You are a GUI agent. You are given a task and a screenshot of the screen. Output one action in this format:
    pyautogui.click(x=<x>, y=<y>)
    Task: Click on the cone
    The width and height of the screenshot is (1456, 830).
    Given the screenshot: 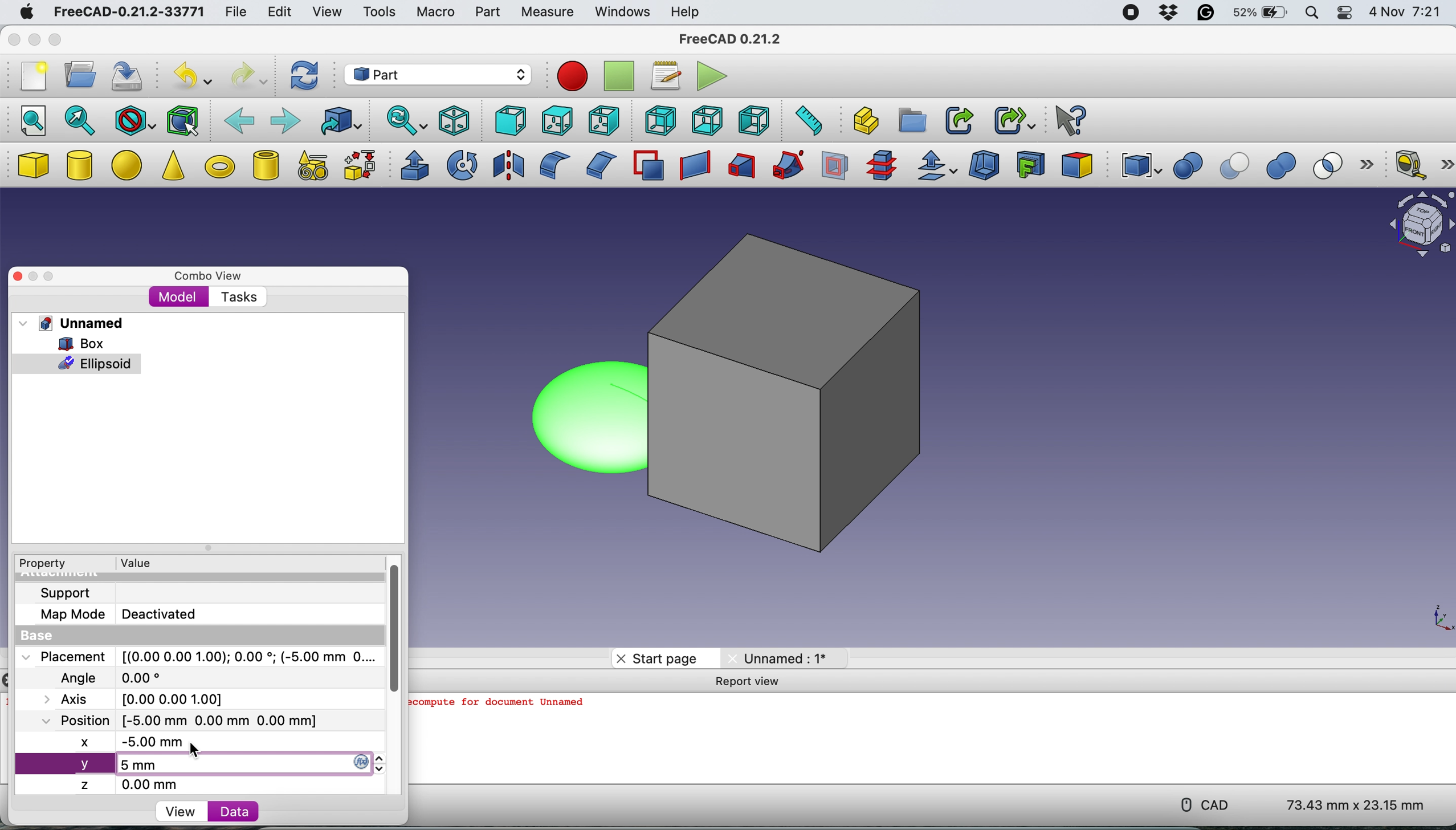 What is the action you would take?
    pyautogui.click(x=173, y=168)
    